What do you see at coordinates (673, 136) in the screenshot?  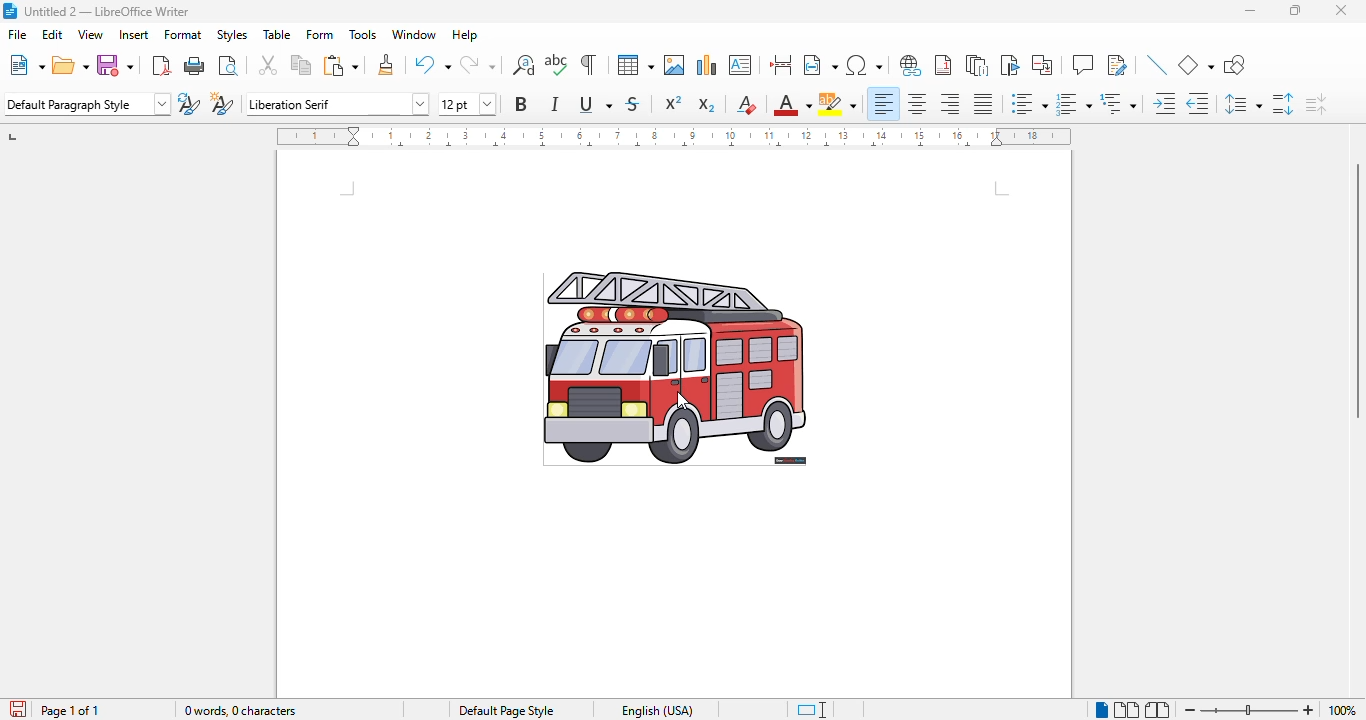 I see `ruler` at bounding box center [673, 136].